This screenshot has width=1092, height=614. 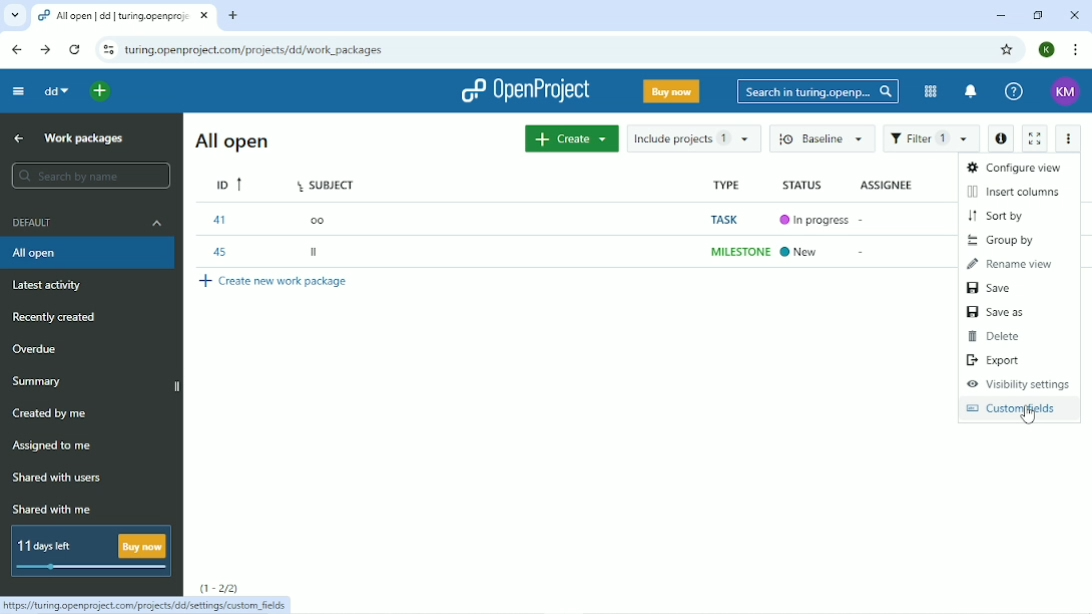 I want to click on turing.openproject.com/projects/dd/work_packages, so click(x=263, y=50).